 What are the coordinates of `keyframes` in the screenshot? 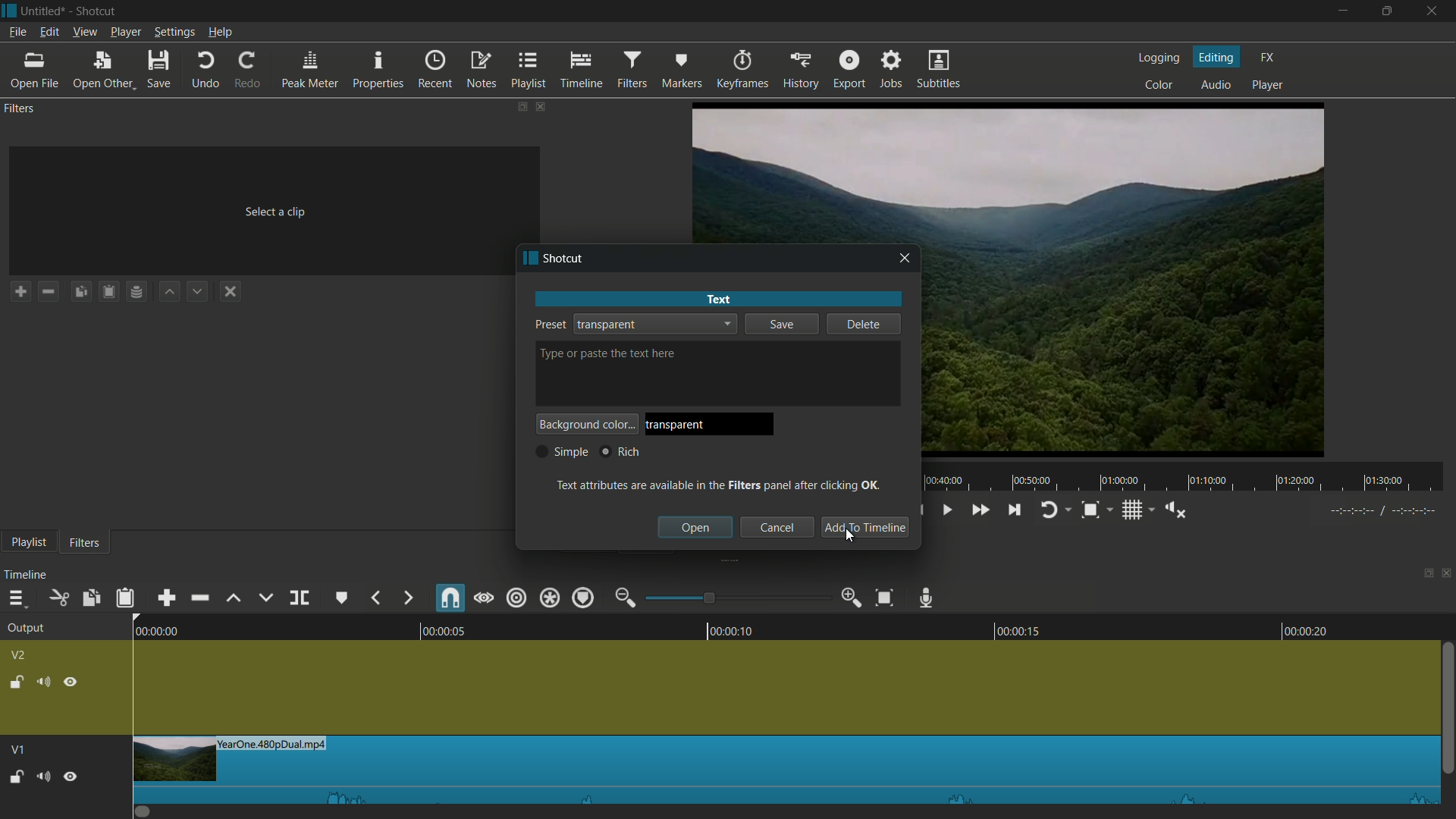 It's located at (740, 70).